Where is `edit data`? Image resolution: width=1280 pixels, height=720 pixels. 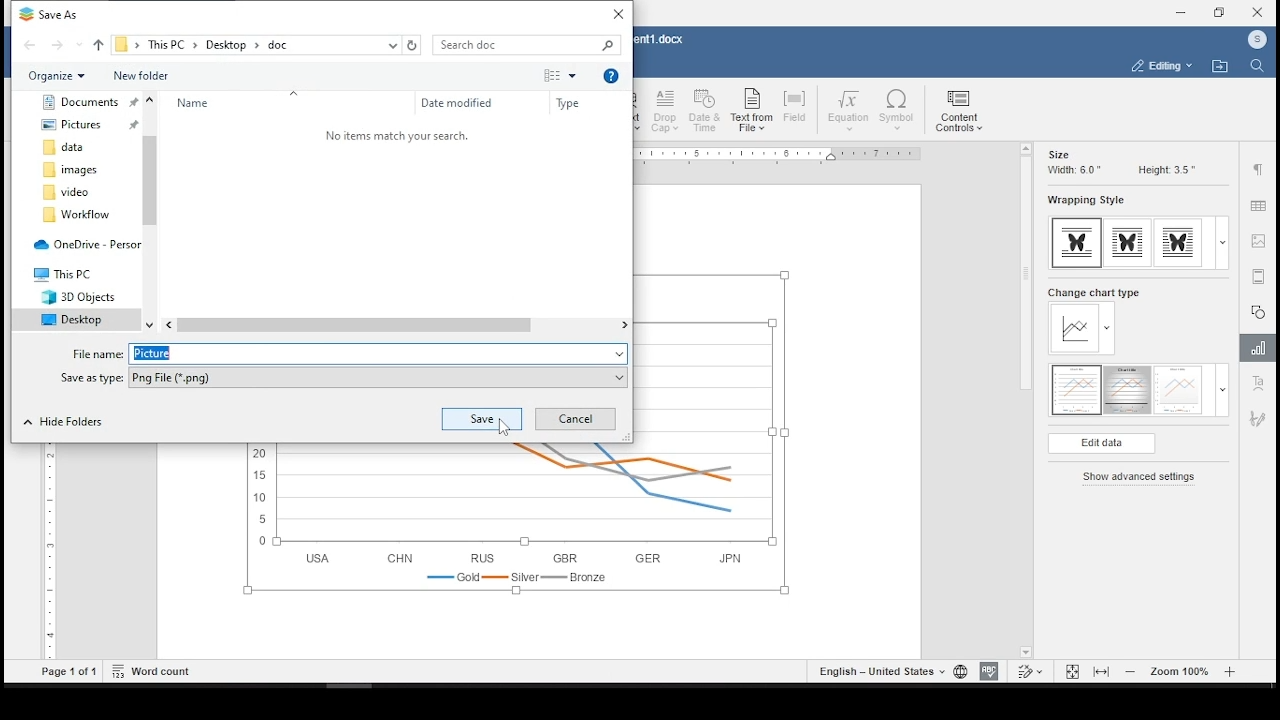 edit data is located at coordinates (1101, 444).